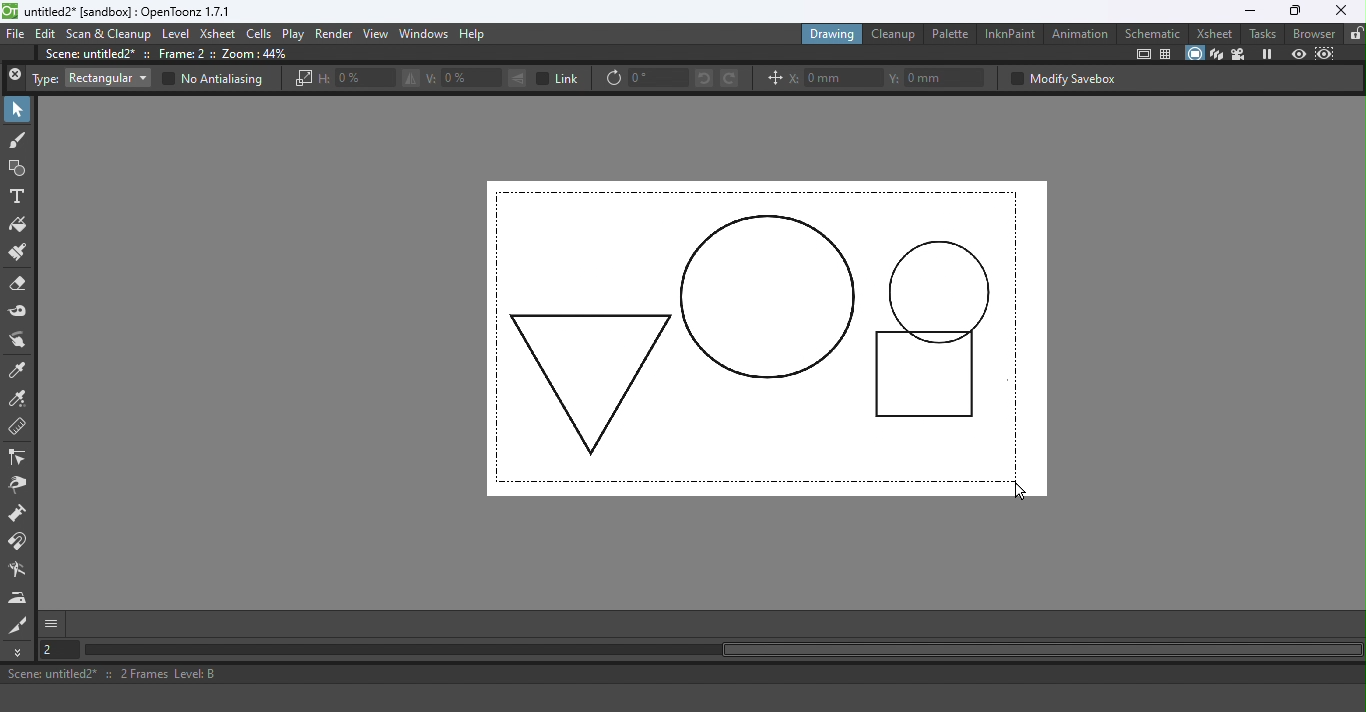  I want to click on Brush tool, so click(18, 141).